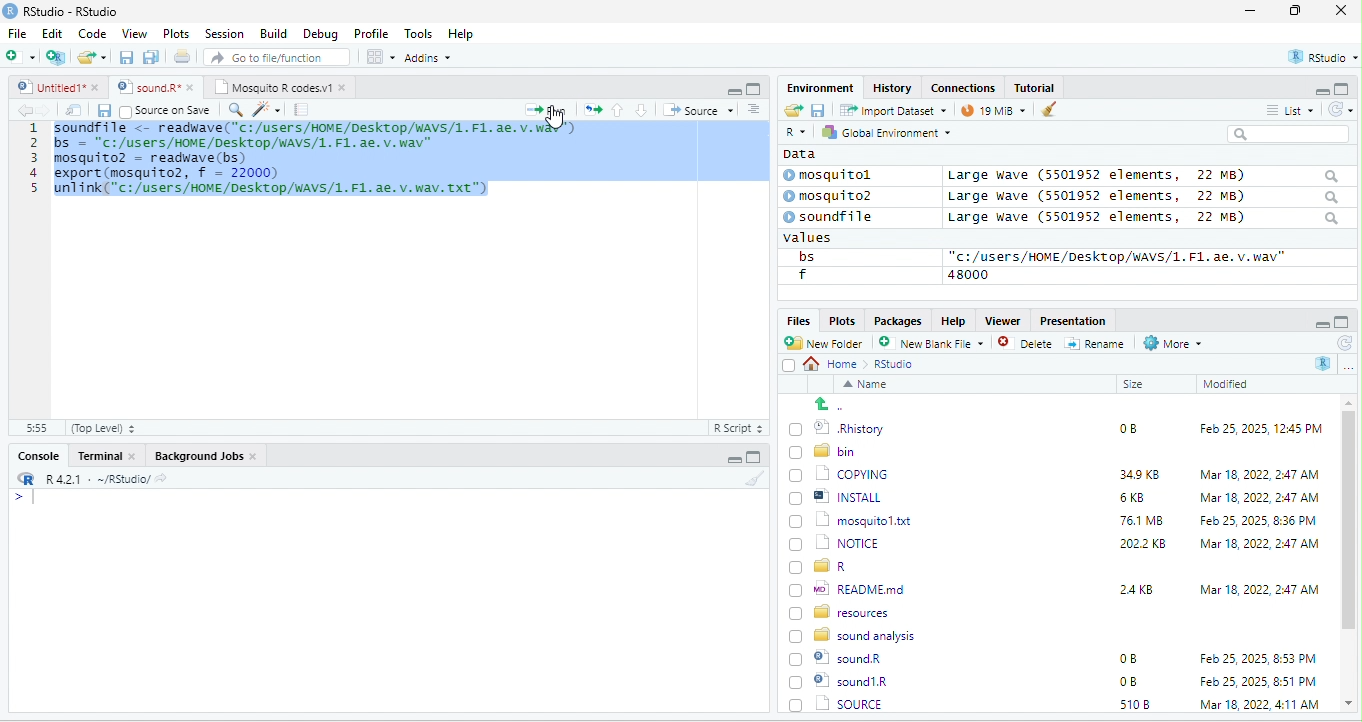 The image size is (1362, 722). I want to click on 6KB, so click(1133, 498).